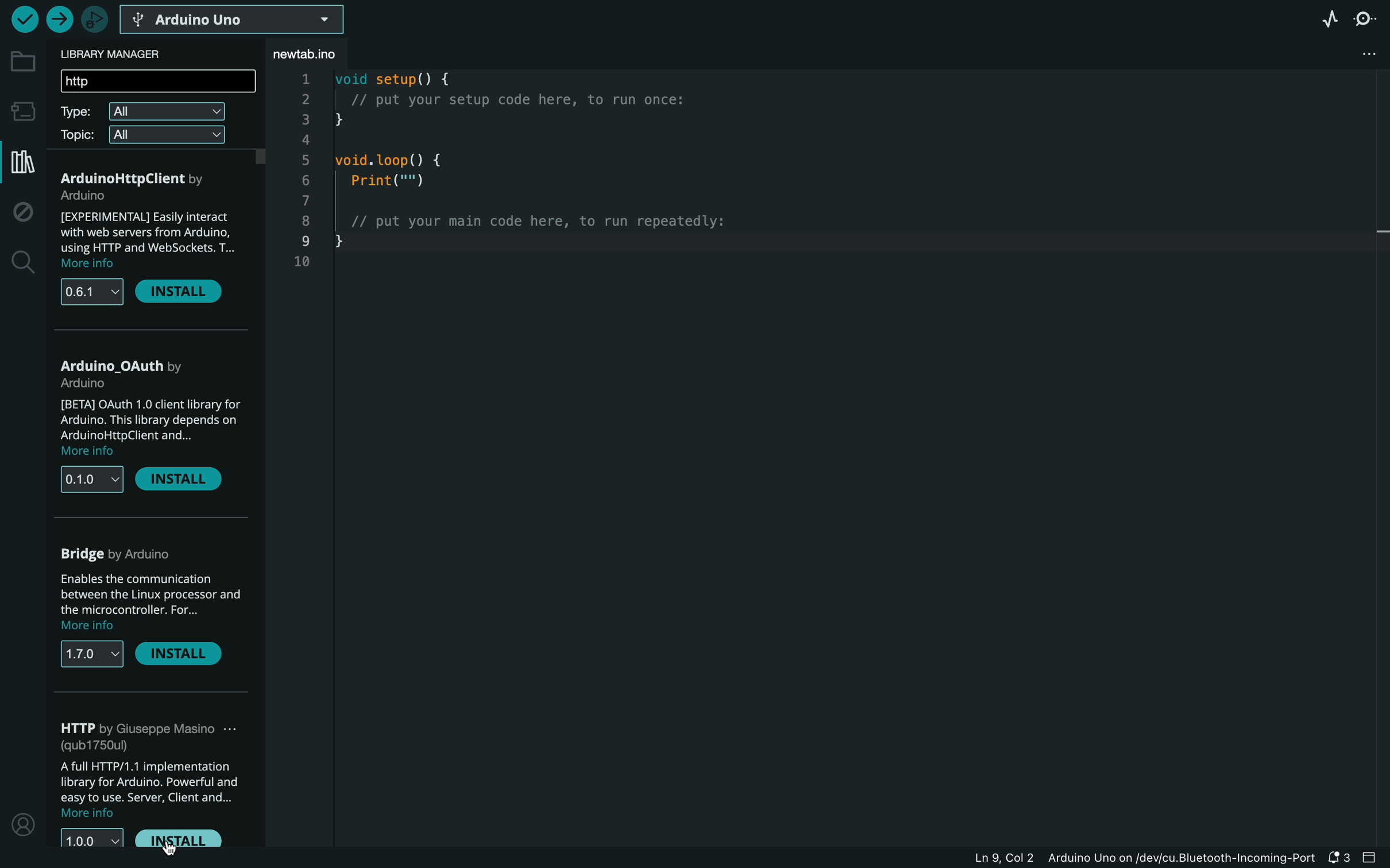  What do you see at coordinates (241, 20) in the screenshot?
I see `board selecter` at bounding box center [241, 20].